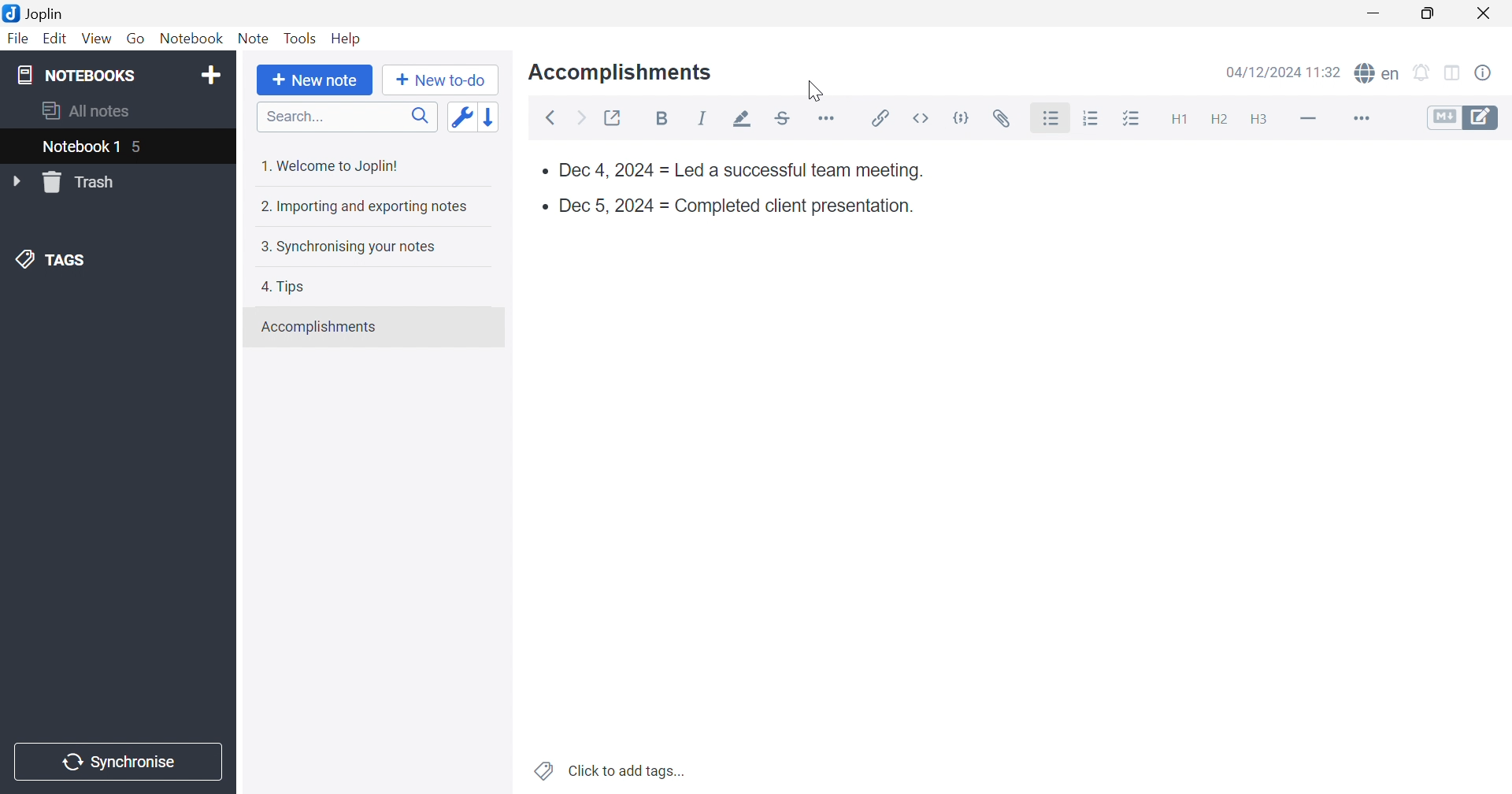  What do you see at coordinates (191, 38) in the screenshot?
I see `Notebook` at bounding box center [191, 38].